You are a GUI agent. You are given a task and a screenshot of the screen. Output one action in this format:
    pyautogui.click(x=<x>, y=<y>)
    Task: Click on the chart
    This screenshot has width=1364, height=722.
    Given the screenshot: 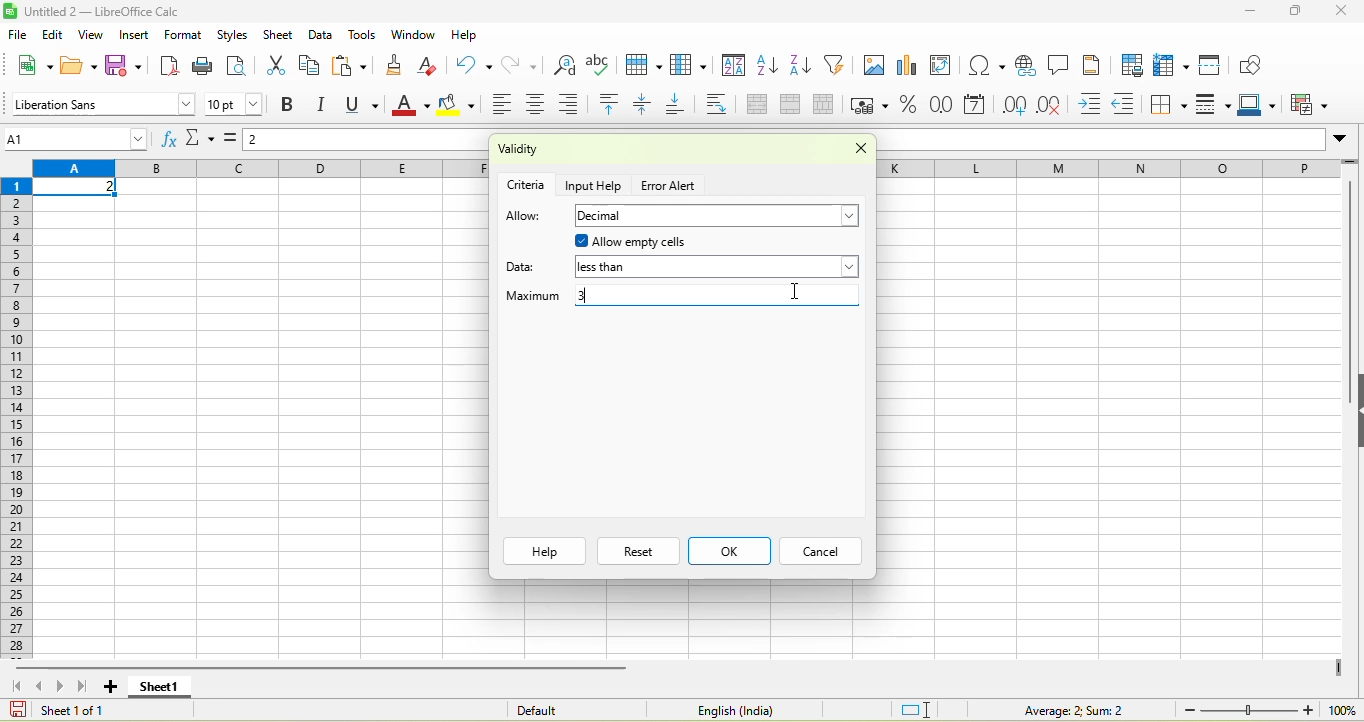 What is the action you would take?
    pyautogui.click(x=909, y=67)
    